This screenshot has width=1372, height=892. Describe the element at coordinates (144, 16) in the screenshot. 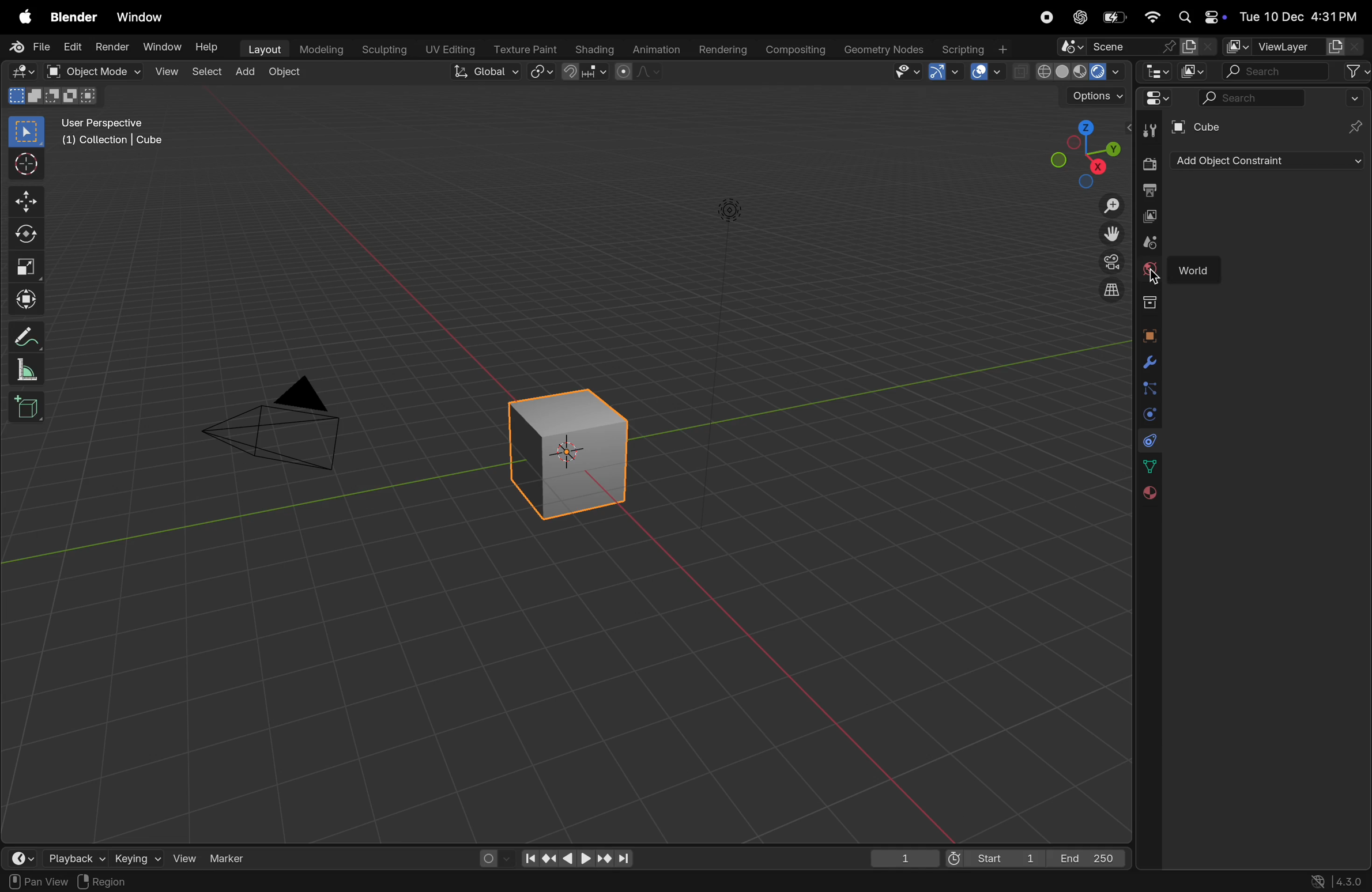

I see `Window` at that location.